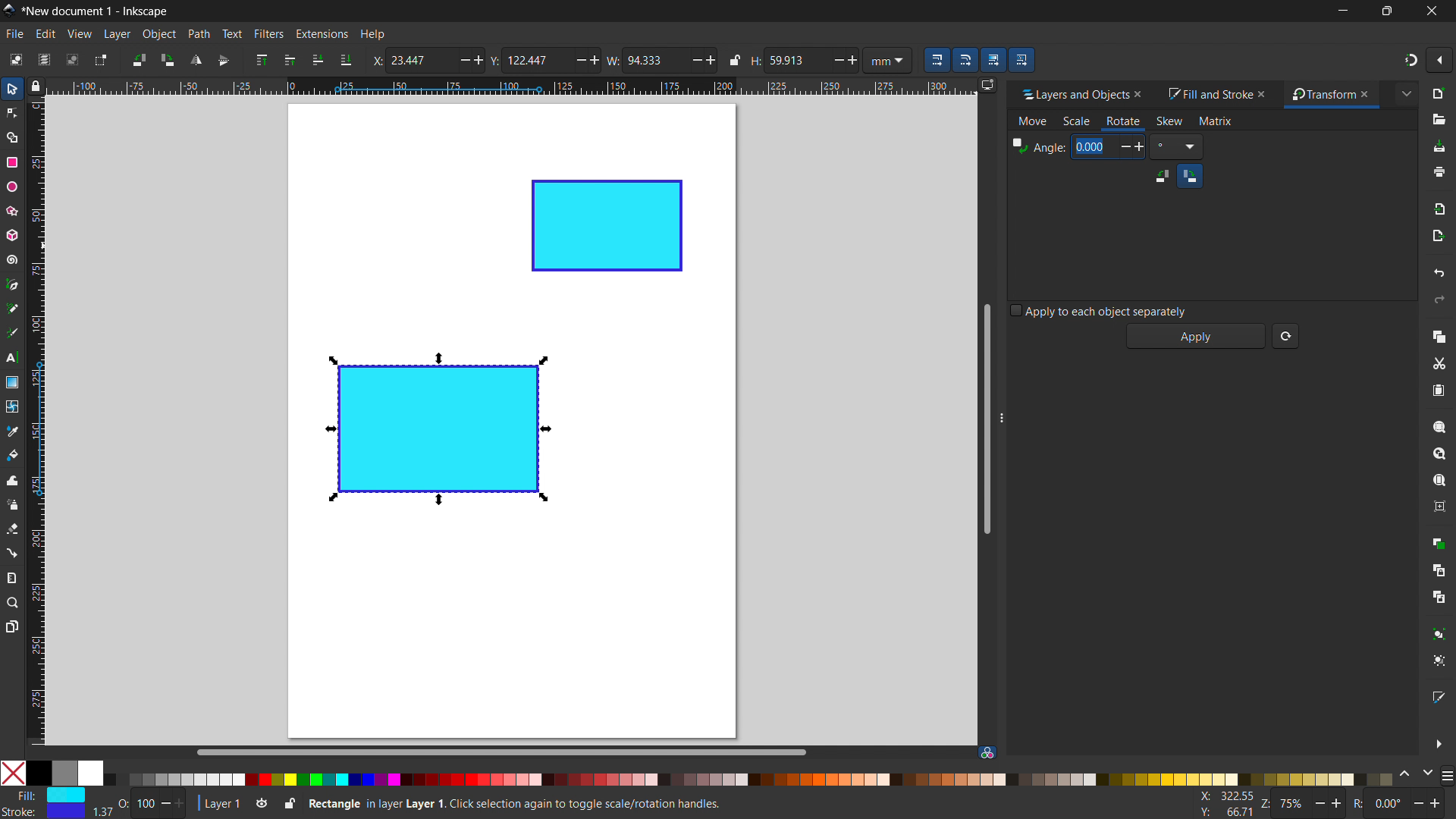 The height and width of the screenshot is (819, 1456). What do you see at coordinates (12, 89) in the screenshot?
I see `selector tool` at bounding box center [12, 89].